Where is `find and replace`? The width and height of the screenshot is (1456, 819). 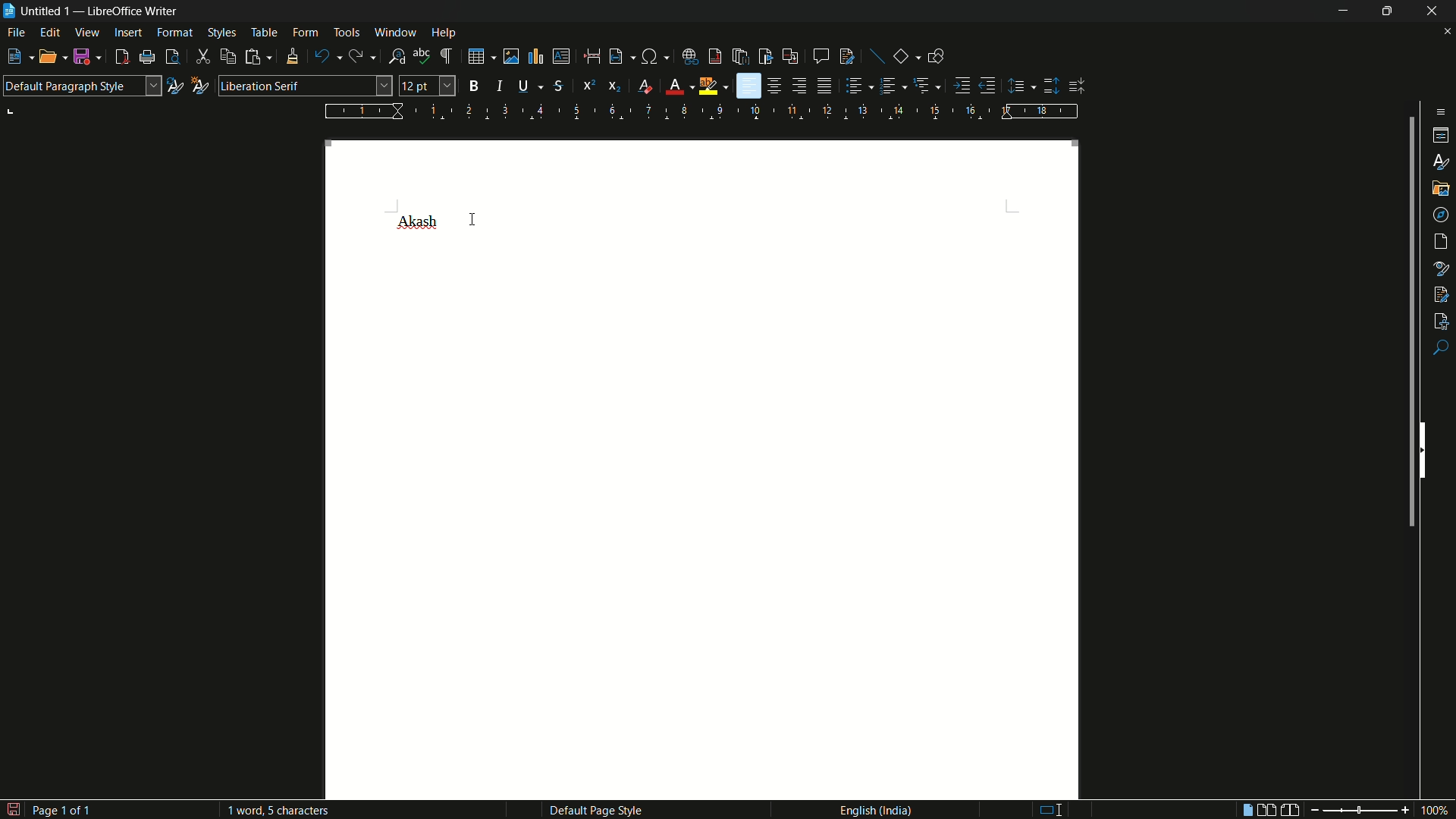 find and replace is located at coordinates (397, 57).